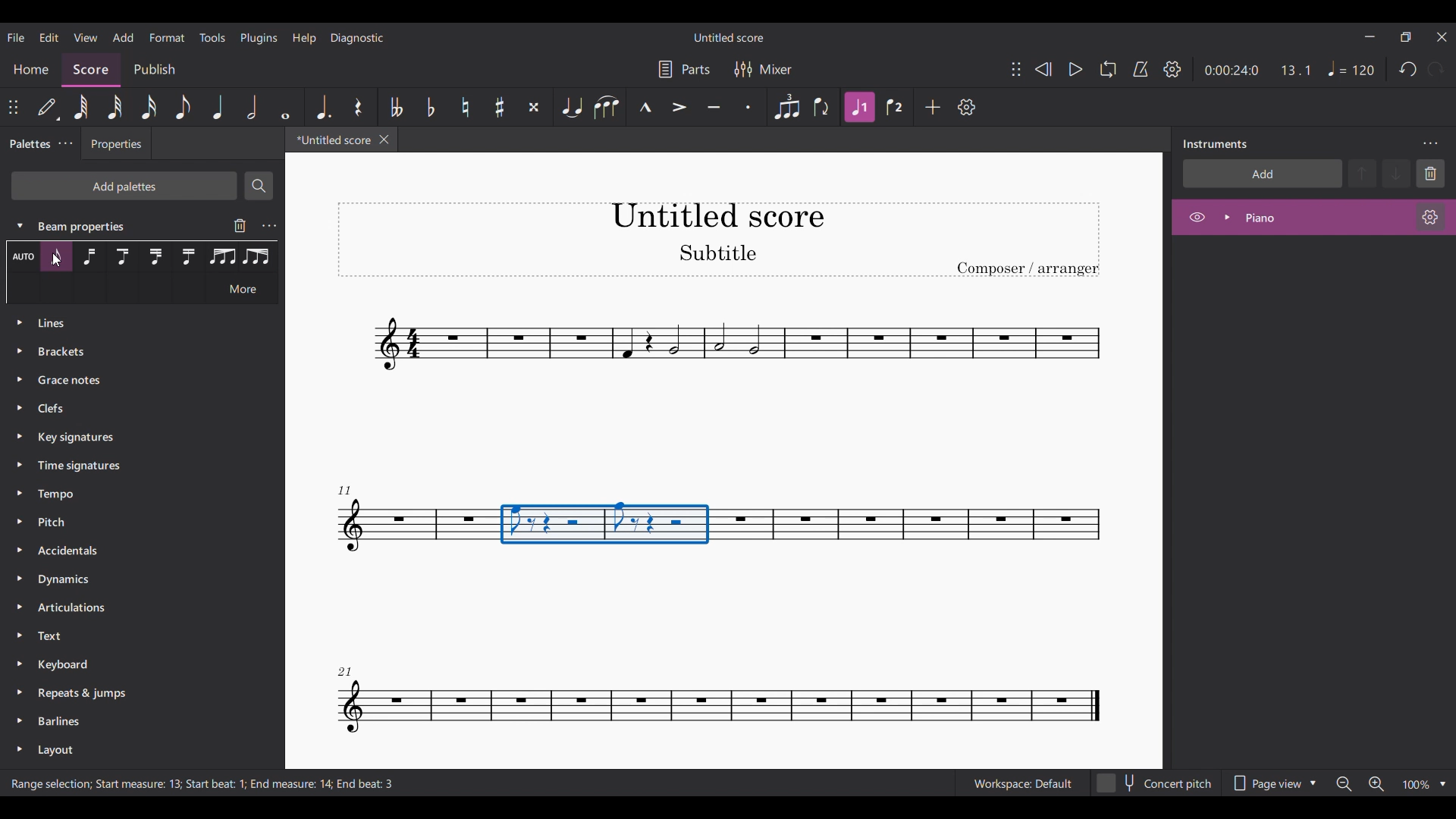 This screenshot has width=1456, height=819. I want to click on Quarter note, so click(218, 107).